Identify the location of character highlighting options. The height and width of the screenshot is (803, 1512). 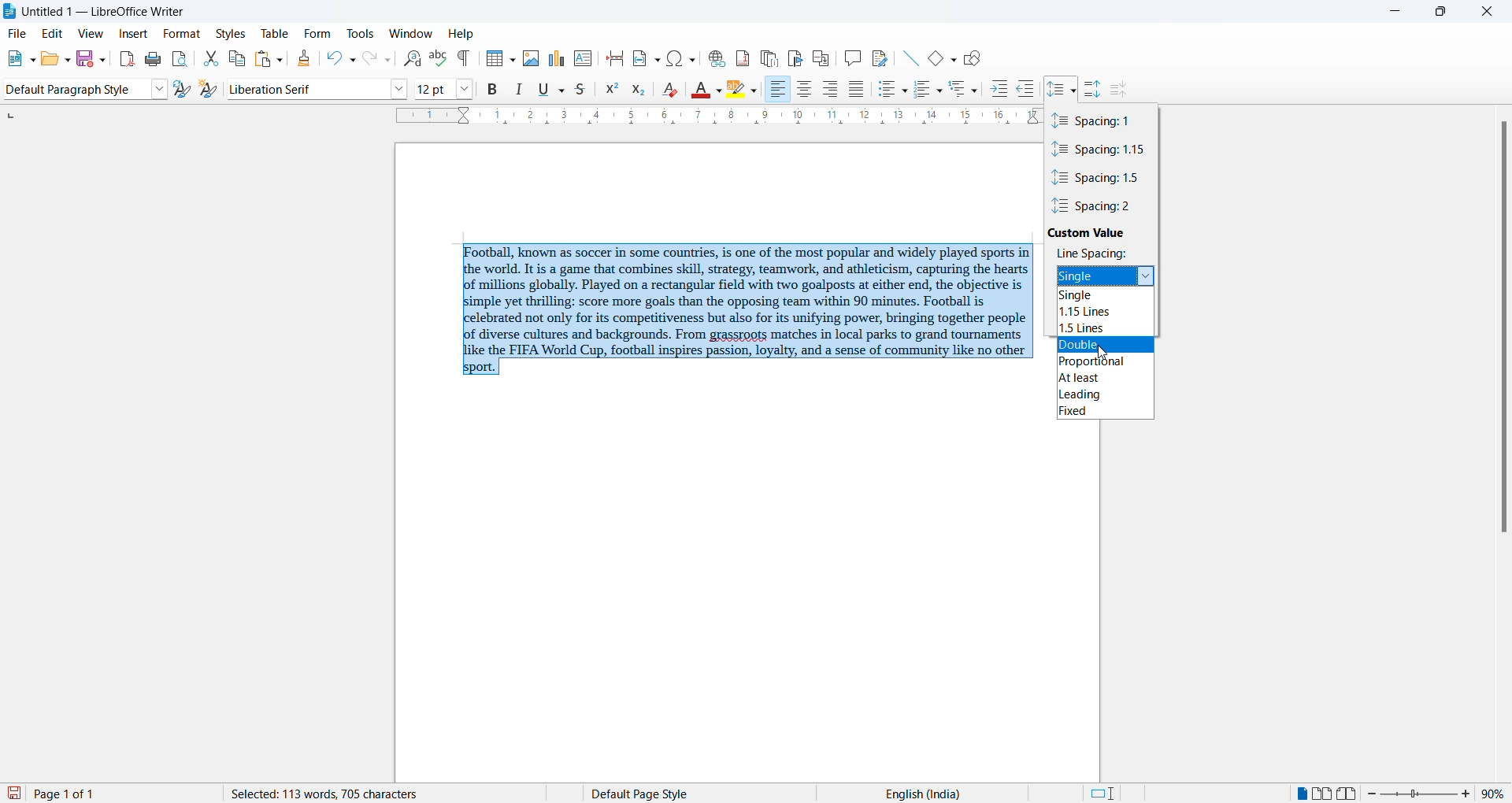
(755, 91).